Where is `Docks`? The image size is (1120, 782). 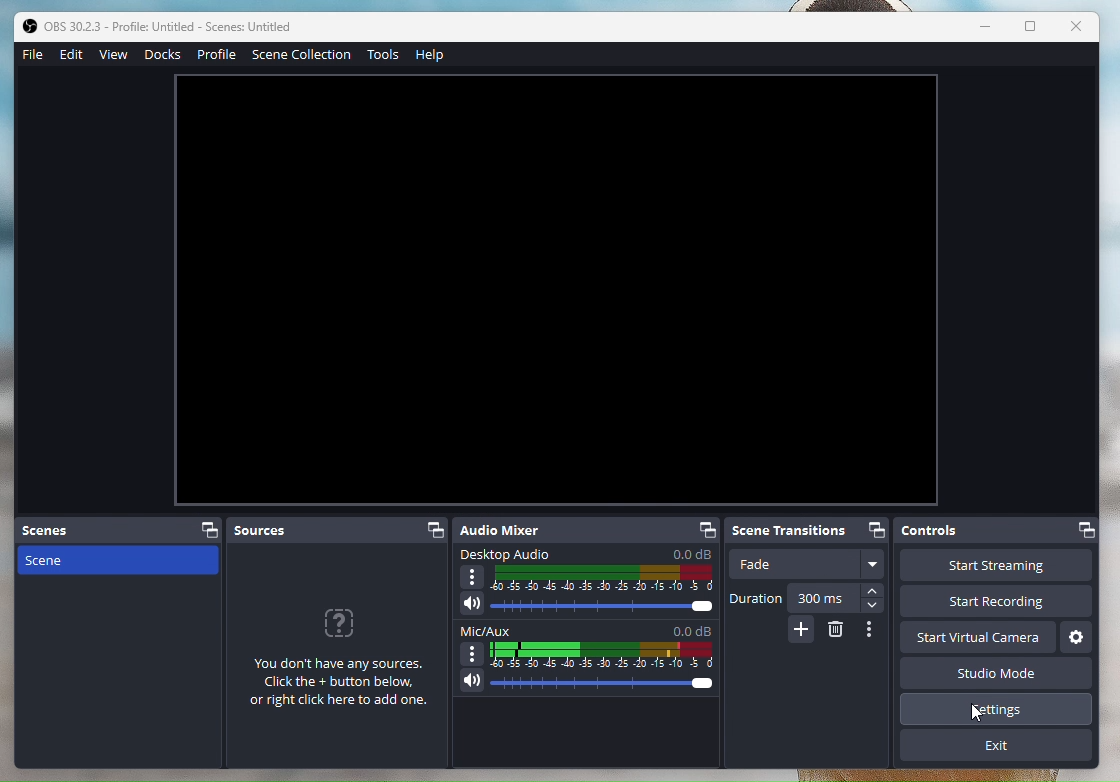
Docks is located at coordinates (163, 54).